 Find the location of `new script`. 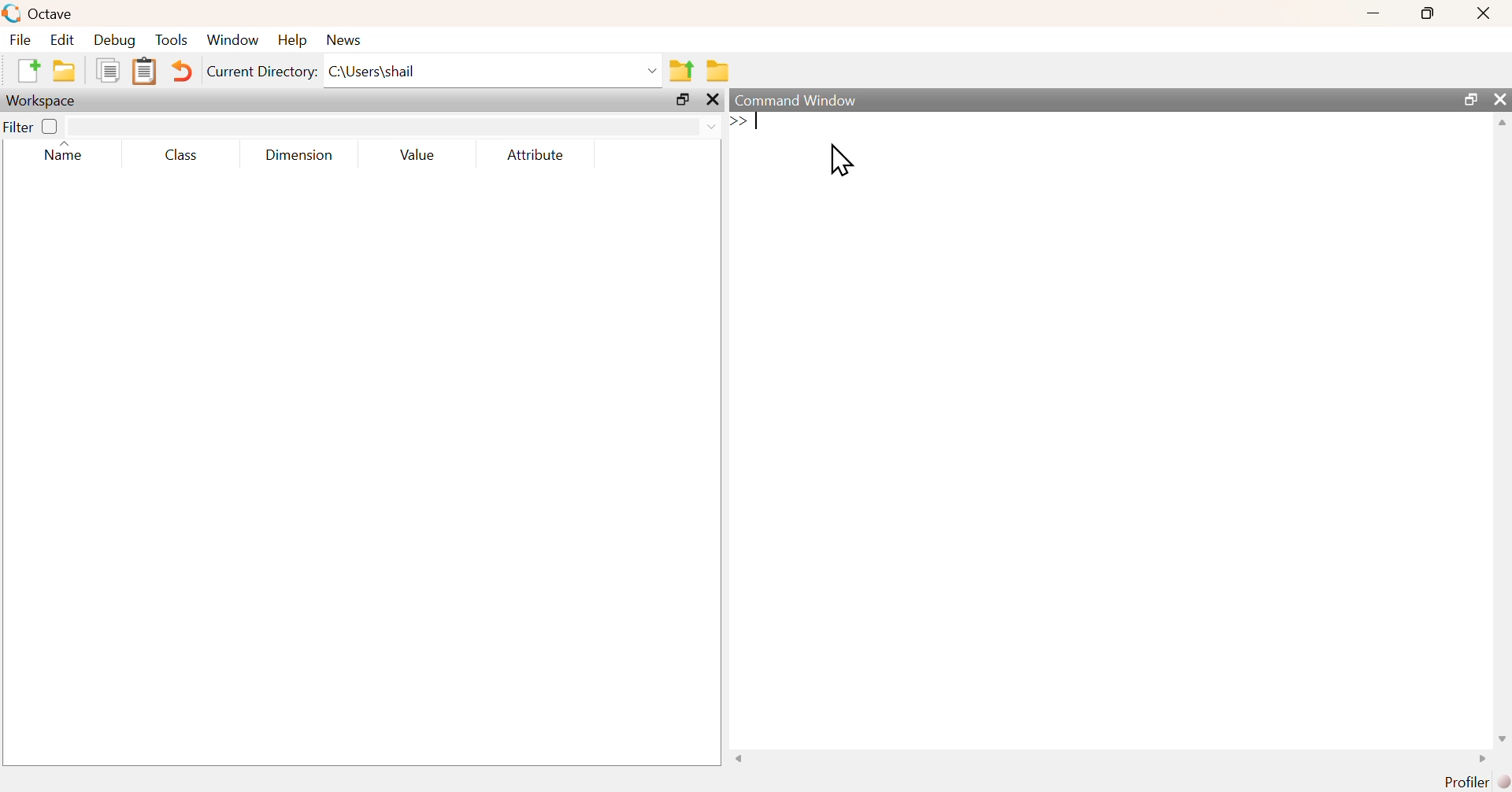

new script is located at coordinates (30, 69).